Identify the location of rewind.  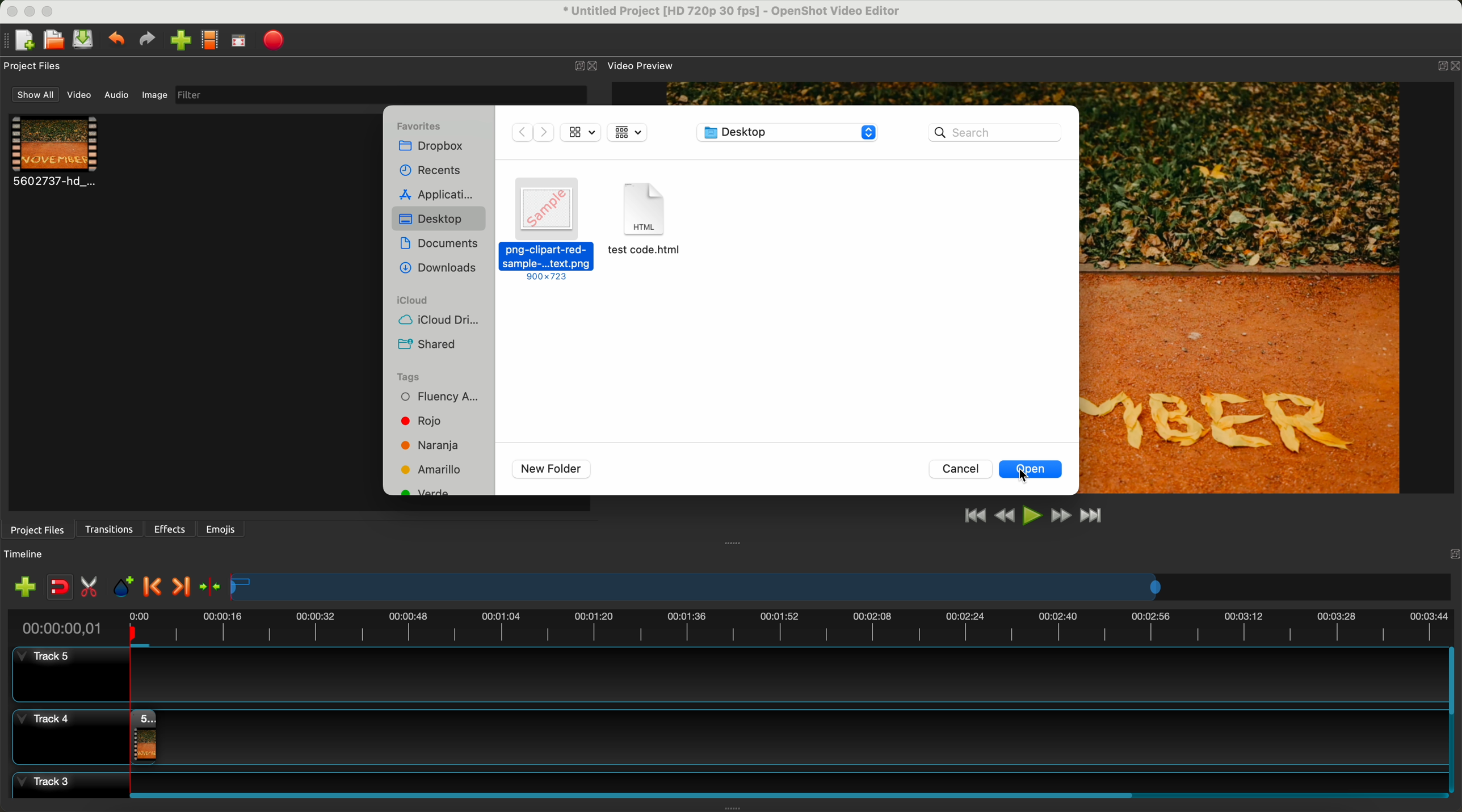
(1003, 517).